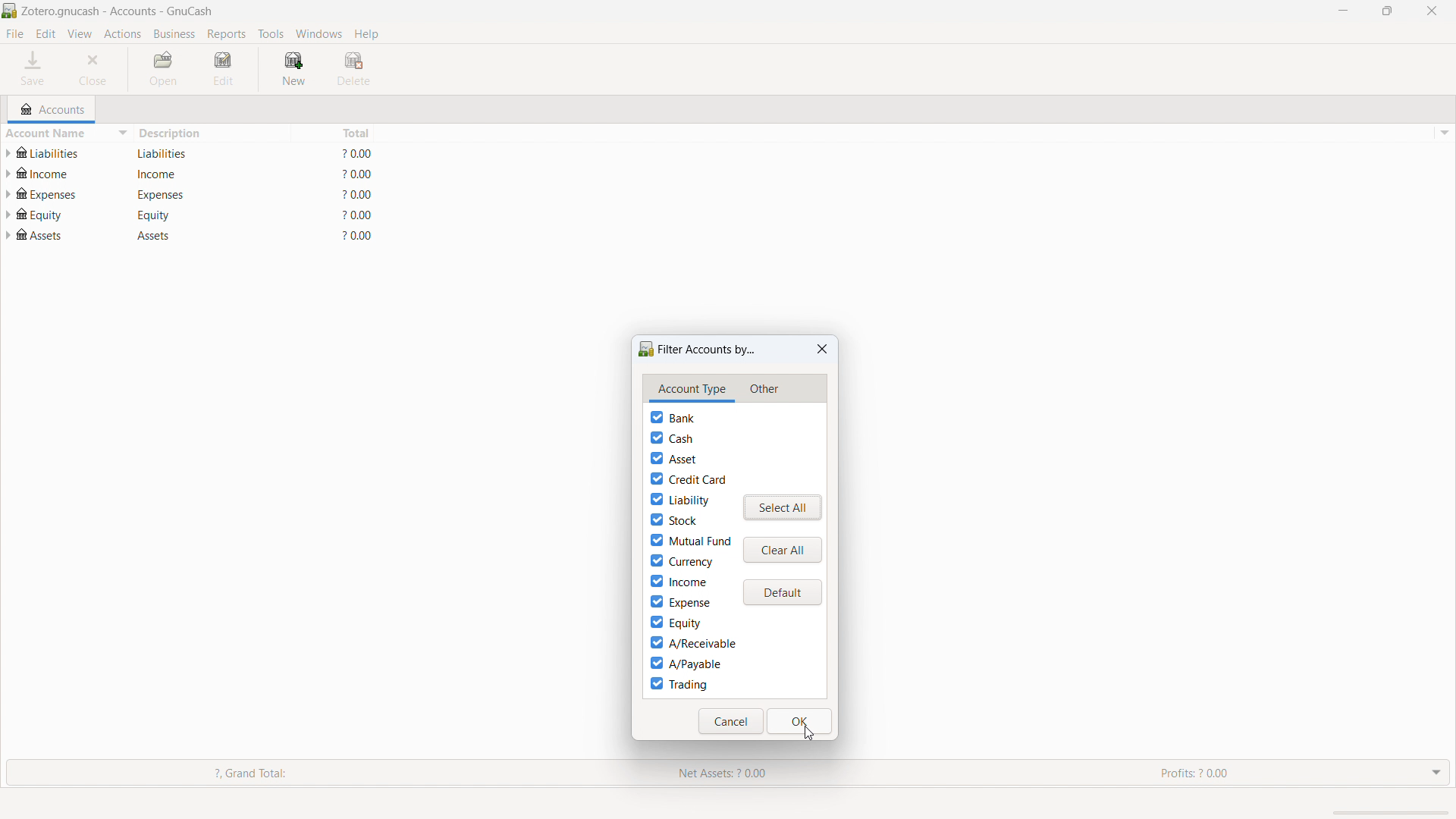 The image size is (1456, 819). What do you see at coordinates (174, 34) in the screenshot?
I see `business` at bounding box center [174, 34].